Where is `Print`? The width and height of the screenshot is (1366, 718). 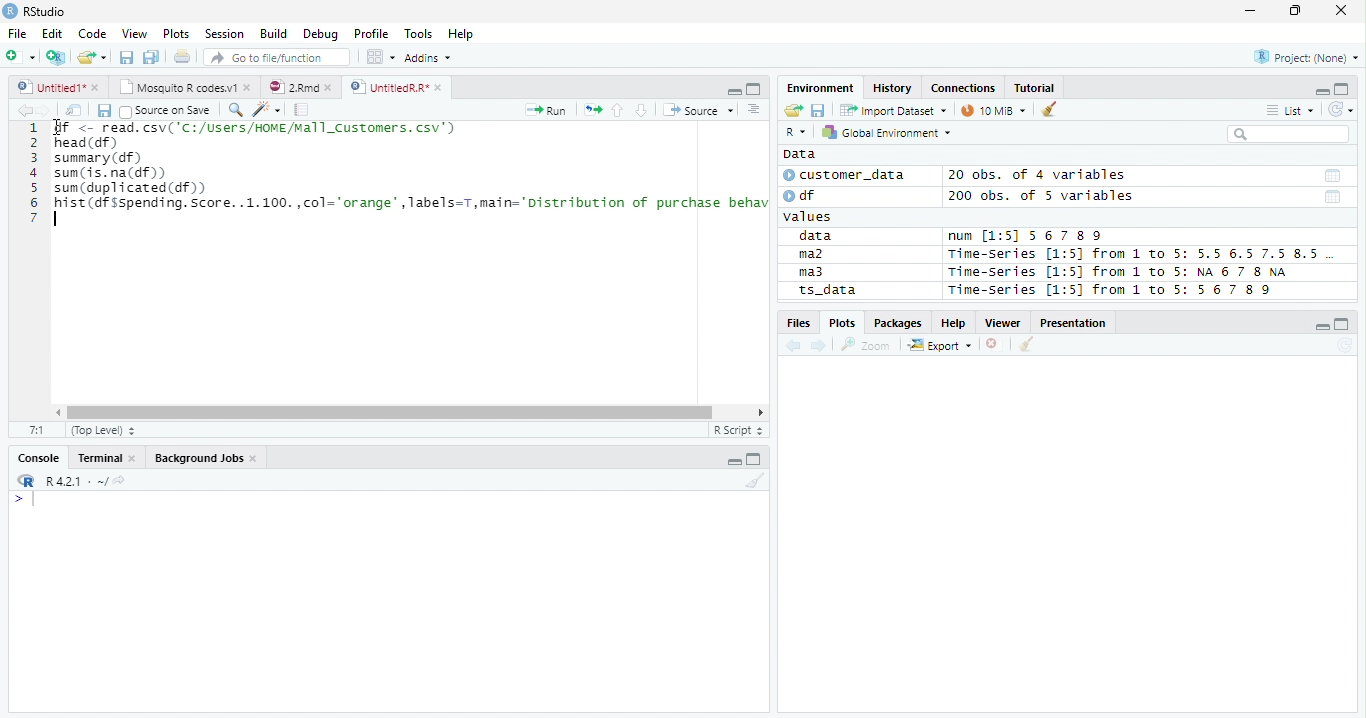
Print is located at coordinates (181, 57).